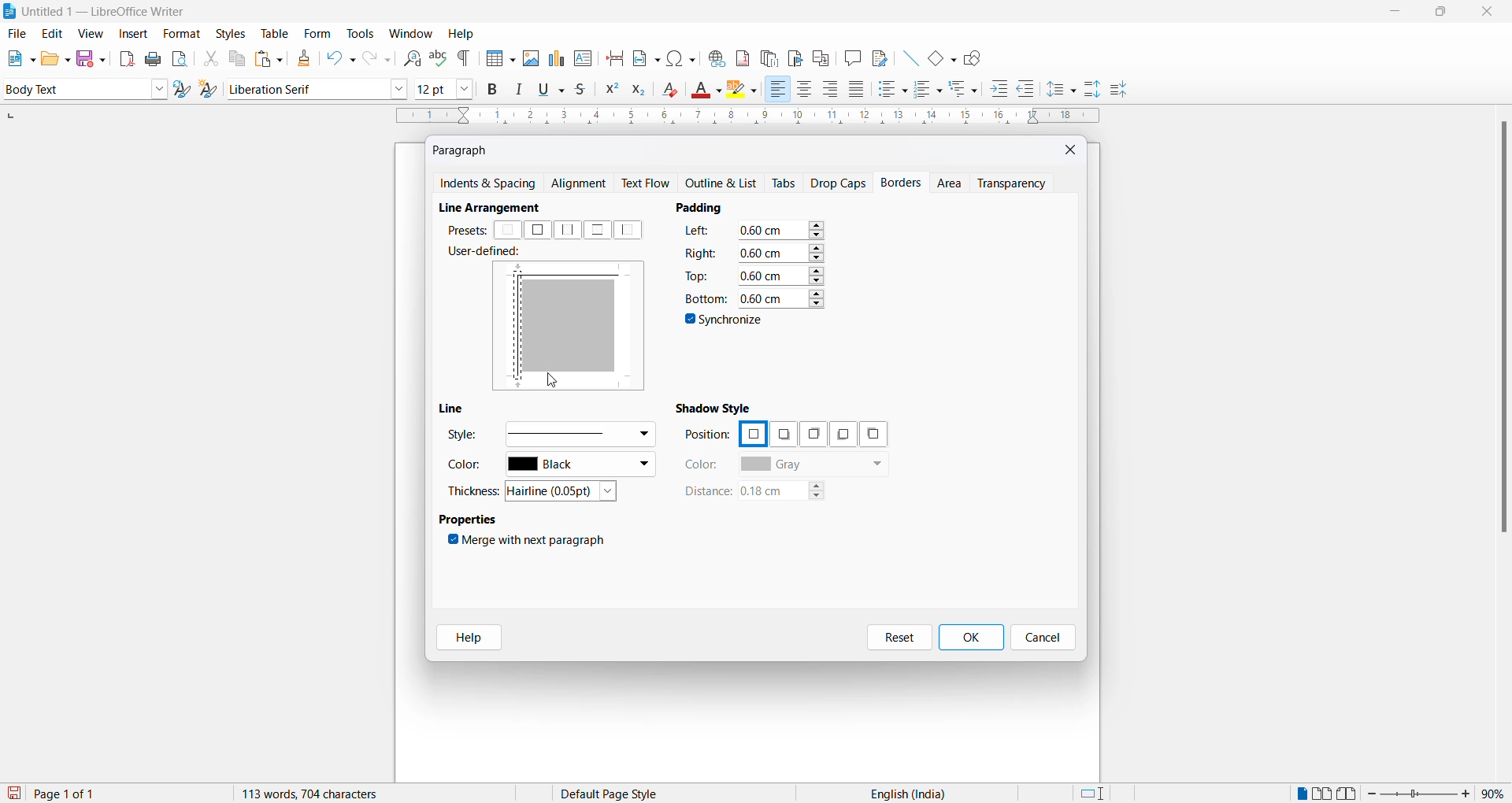 This screenshot has height=803, width=1512. Describe the element at coordinates (795, 56) in the screenshot. I see `insert bookmarks` at that location.